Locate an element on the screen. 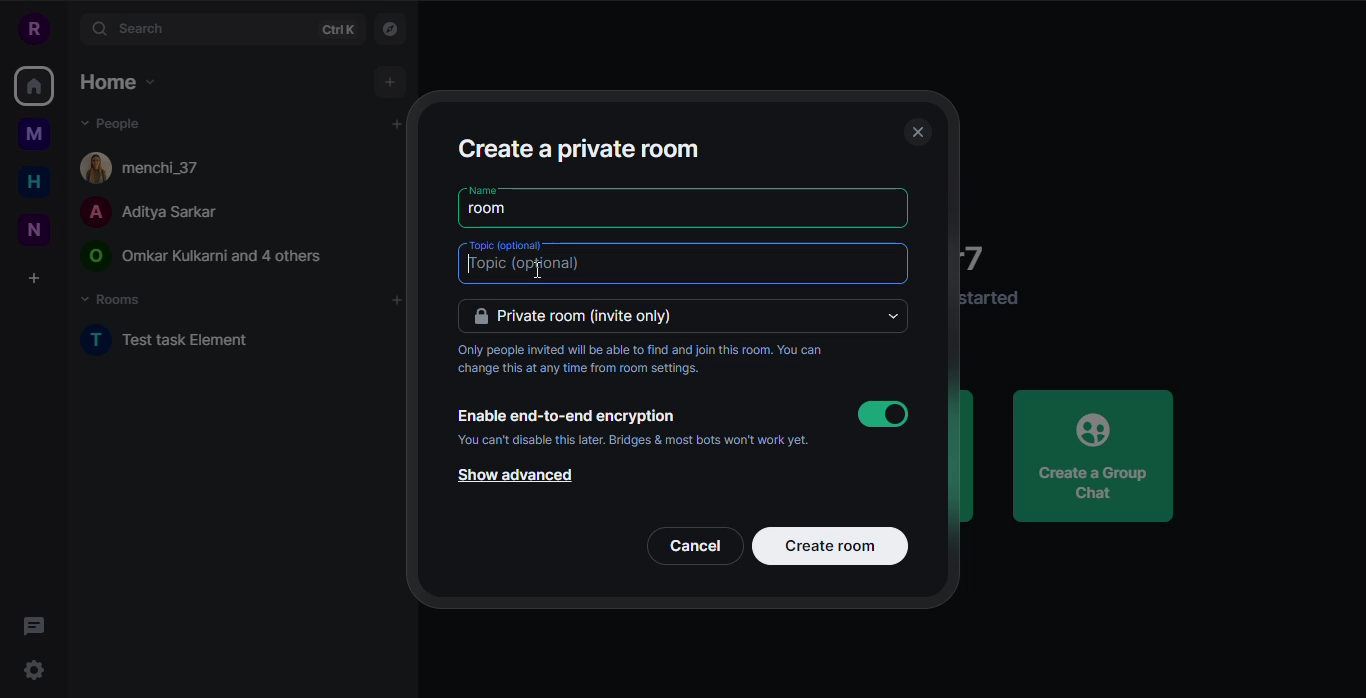  people is located at coordinates (204, 257).